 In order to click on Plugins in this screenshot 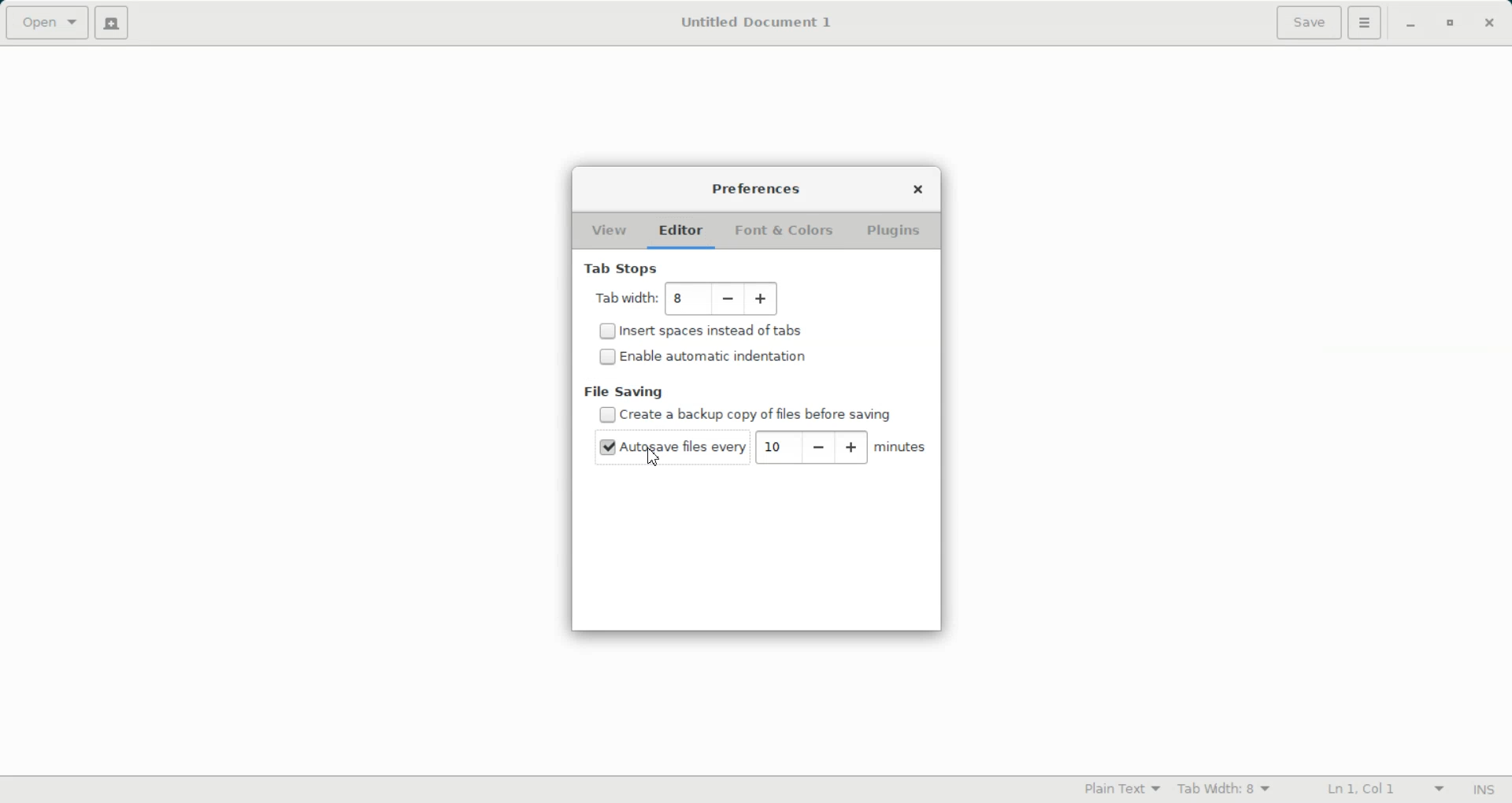, I will do `click(897, 231)`.